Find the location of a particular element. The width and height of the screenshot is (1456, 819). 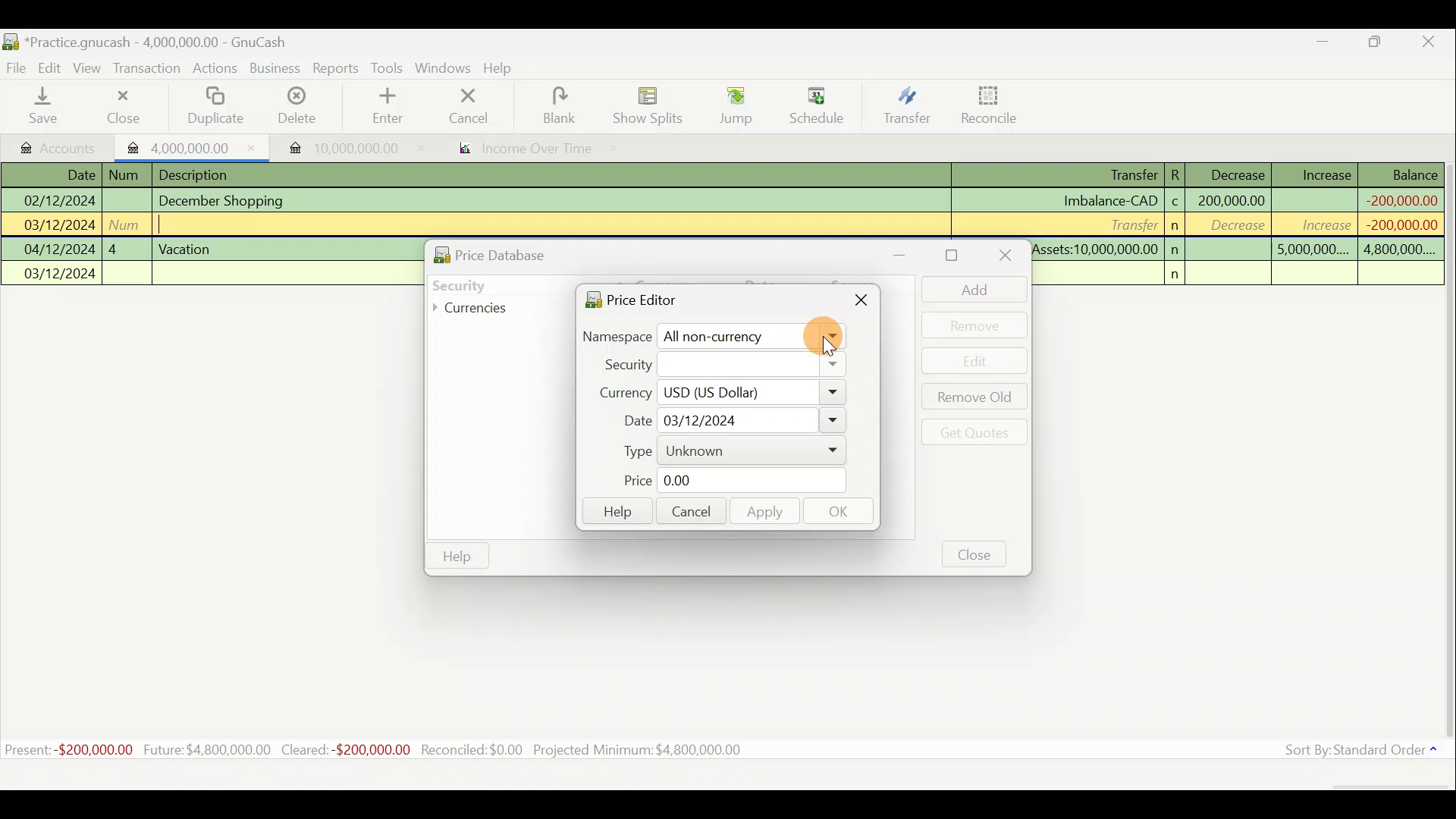

income over time is located at coordinates (536, 149).